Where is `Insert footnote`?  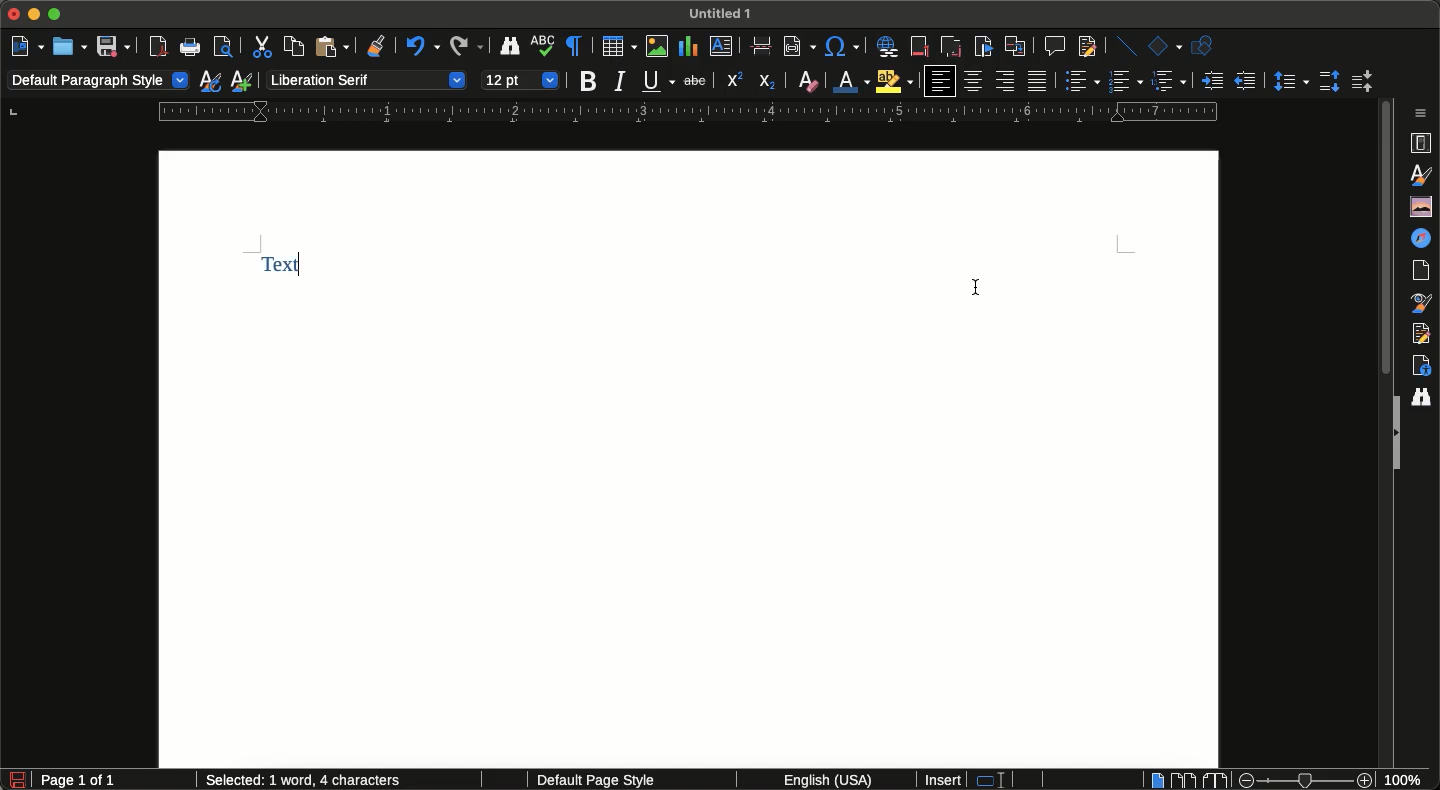 Insert footnote is located at coordinates (920, 48).